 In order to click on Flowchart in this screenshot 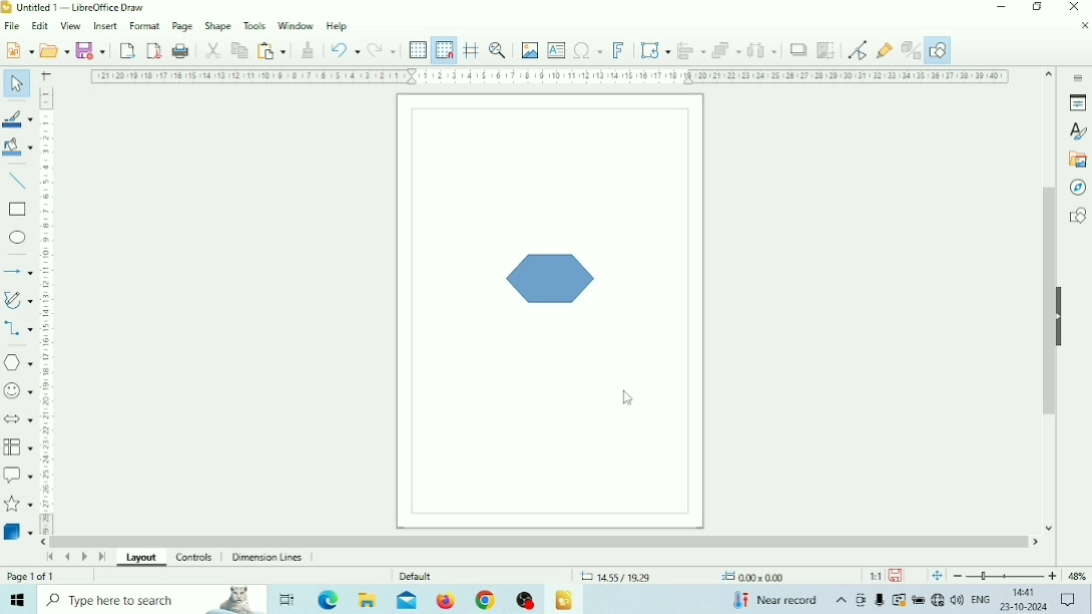, I will do `click(18, 447)`.